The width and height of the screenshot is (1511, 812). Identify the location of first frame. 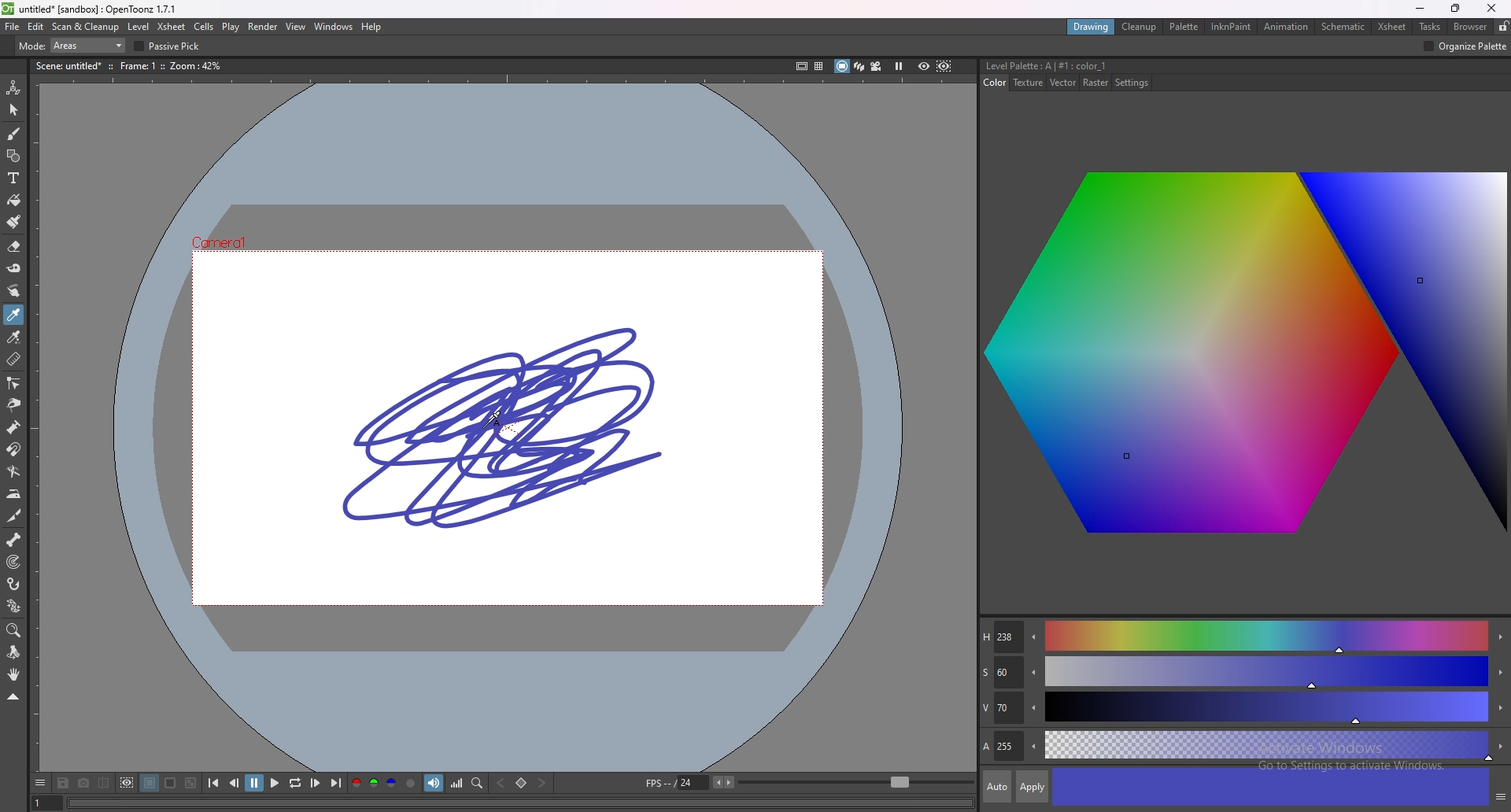
(214, 783).